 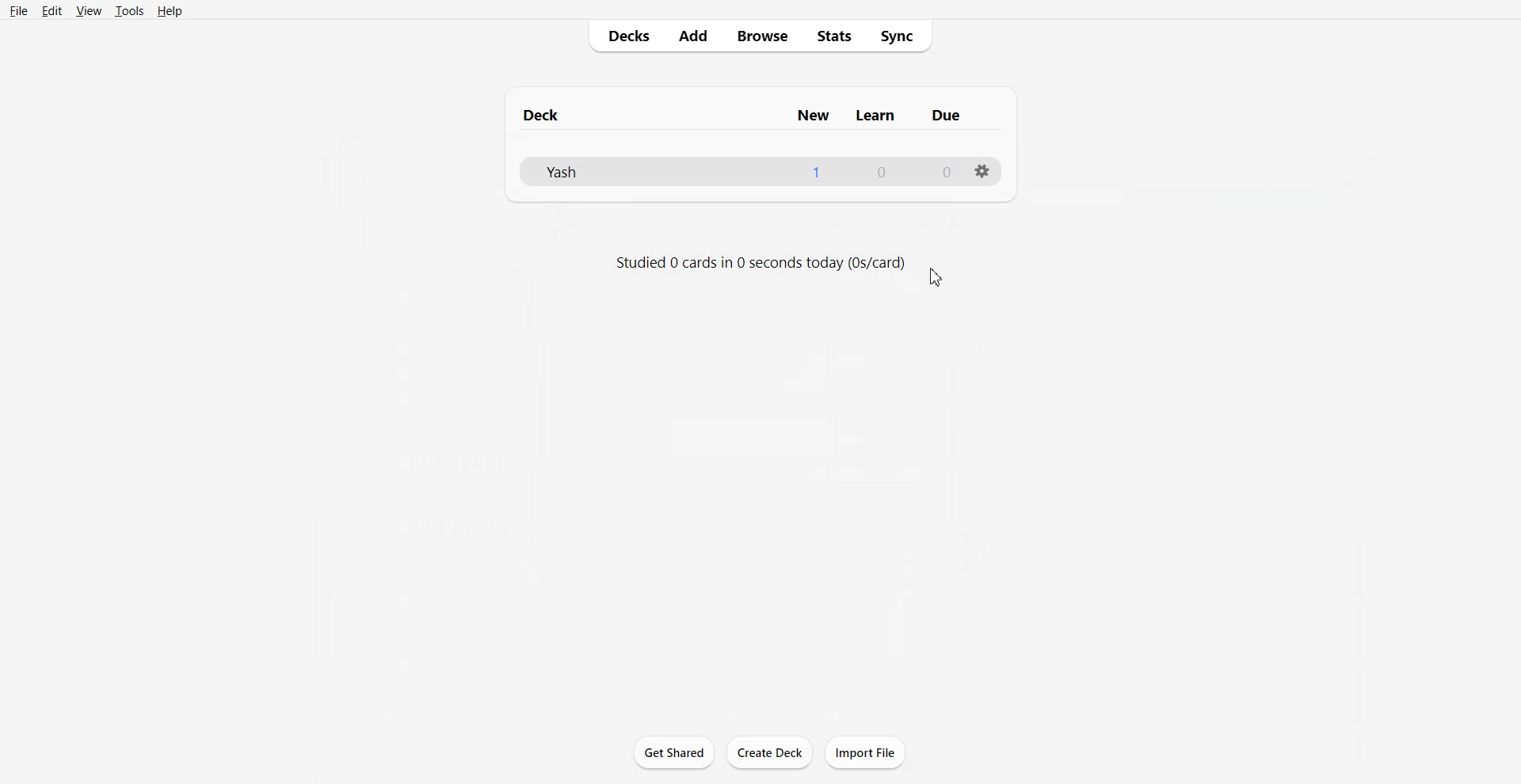 What do you see at coordinates (760, 264) in the screenshot?
I see `Text 2` at bounding box center [760, 264].